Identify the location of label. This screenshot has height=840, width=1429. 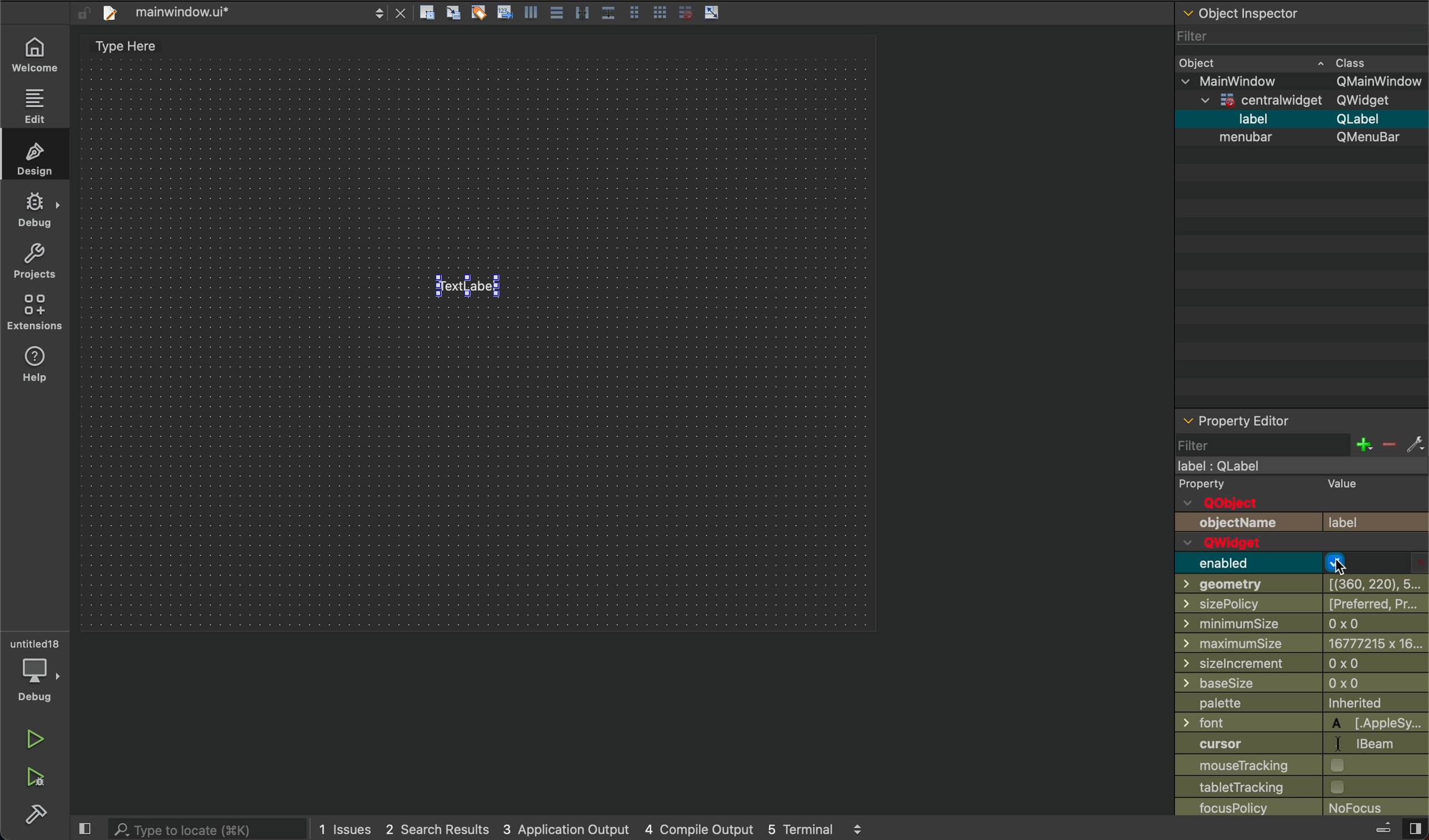
(1255, 118).